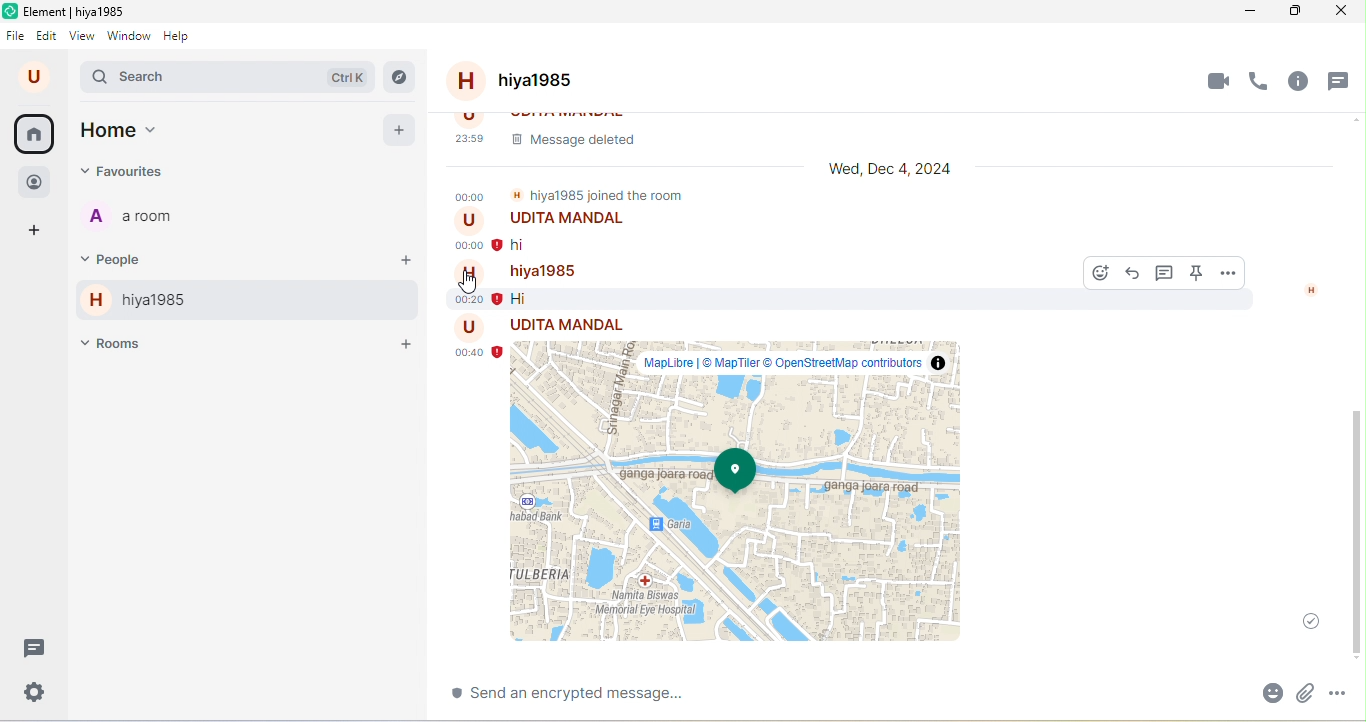 The height and width of the screenshot is (722, 1366). What do you see at coordinates (1311, 691) in the screenshot?
I see `attachment` at bounding box center [1311, 691].